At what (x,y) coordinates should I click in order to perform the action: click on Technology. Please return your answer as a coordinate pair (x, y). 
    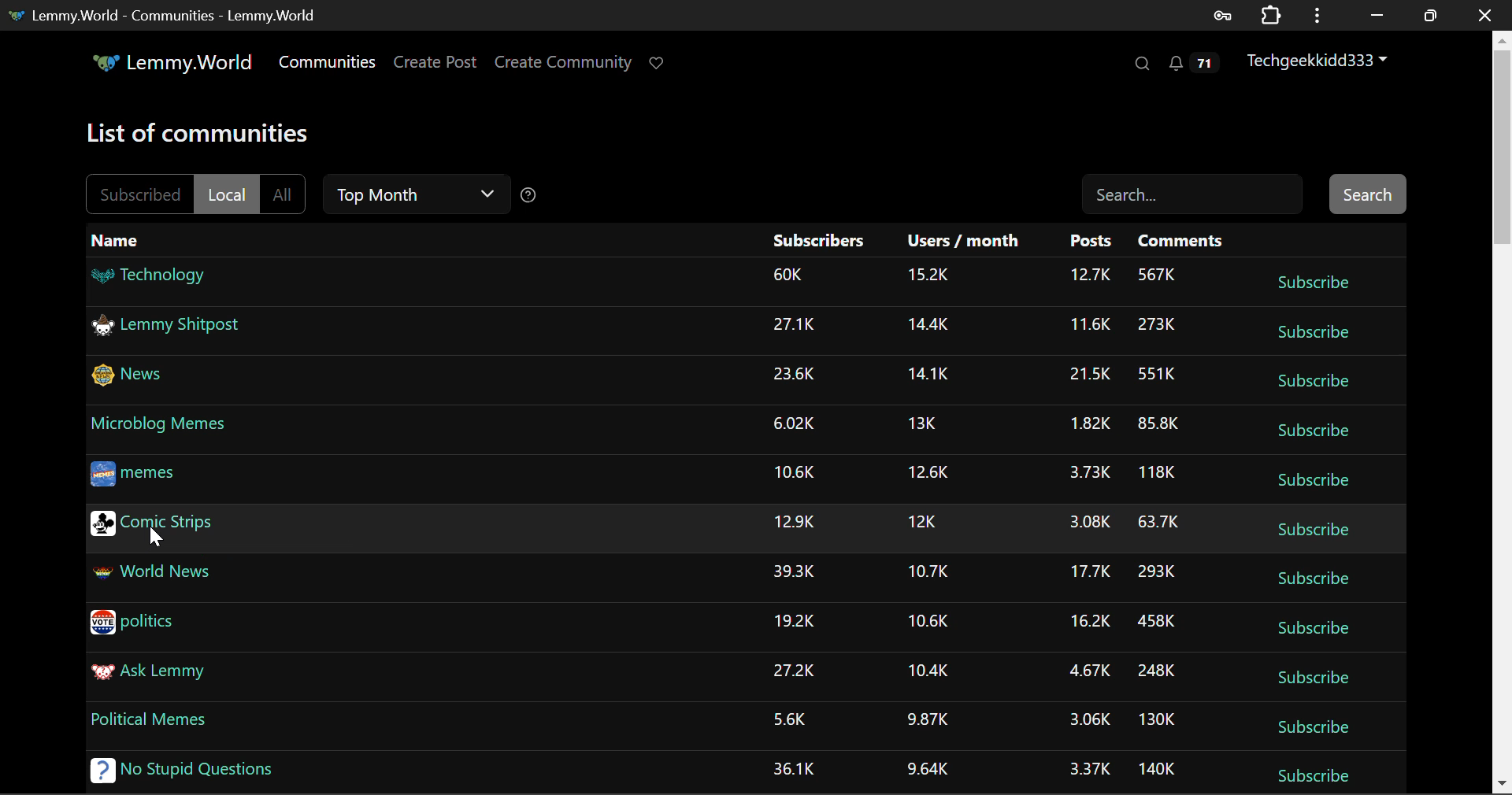
    Looking at the image, I should click on (150, 275).